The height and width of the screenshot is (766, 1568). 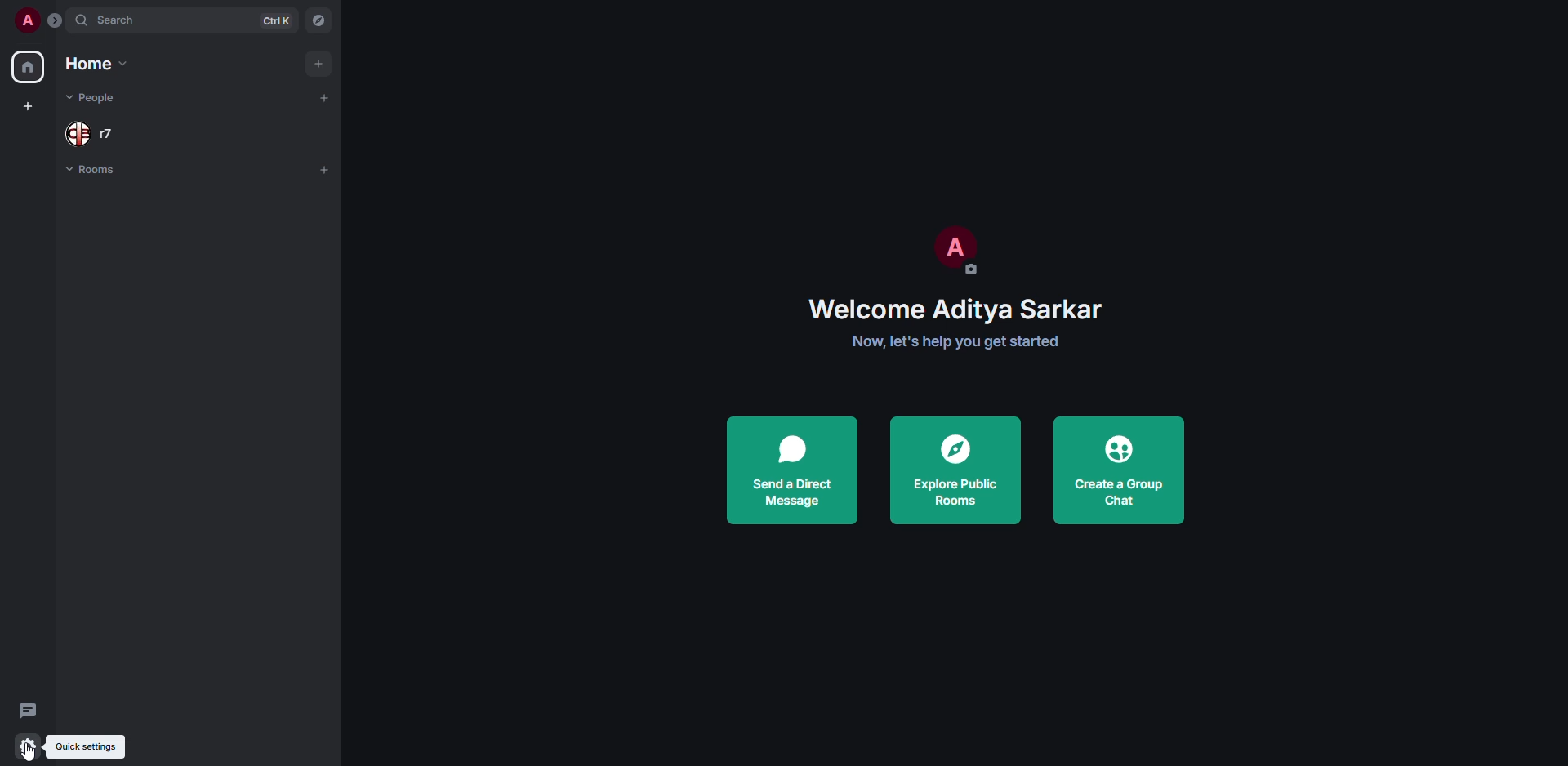 What do you see at coordinates (275, 20) in the screenshot?
I see `ctrl K` at bounding box center [275, 20].